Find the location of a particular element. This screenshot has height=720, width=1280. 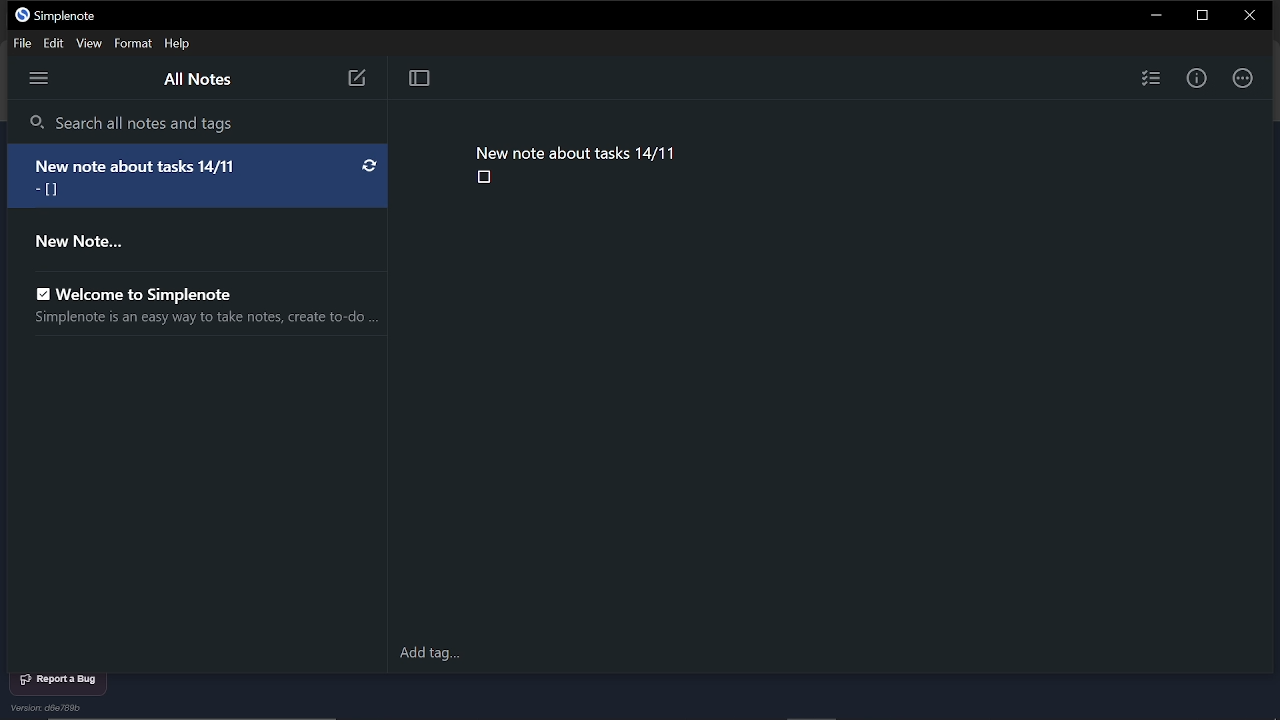

View is located at coordinates (88, 43).